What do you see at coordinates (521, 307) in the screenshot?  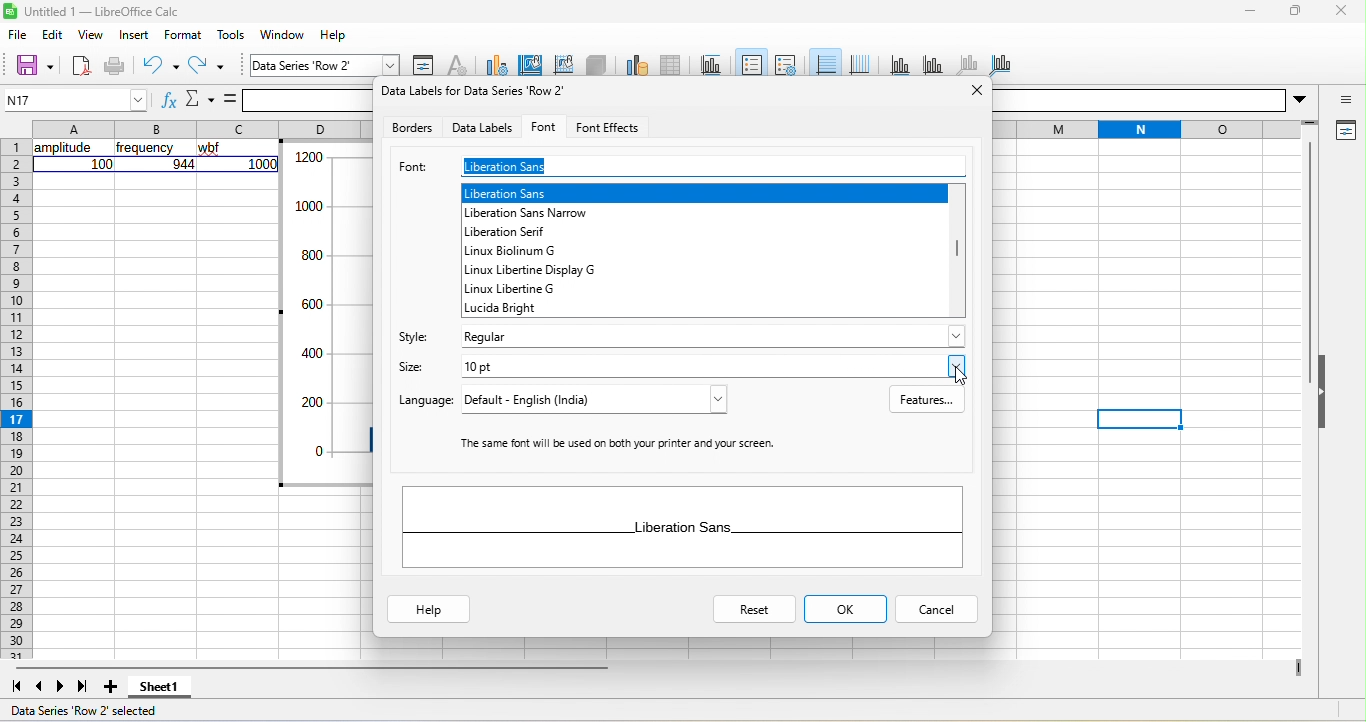 I see `lucida bright` at bounding box center [521, 307].